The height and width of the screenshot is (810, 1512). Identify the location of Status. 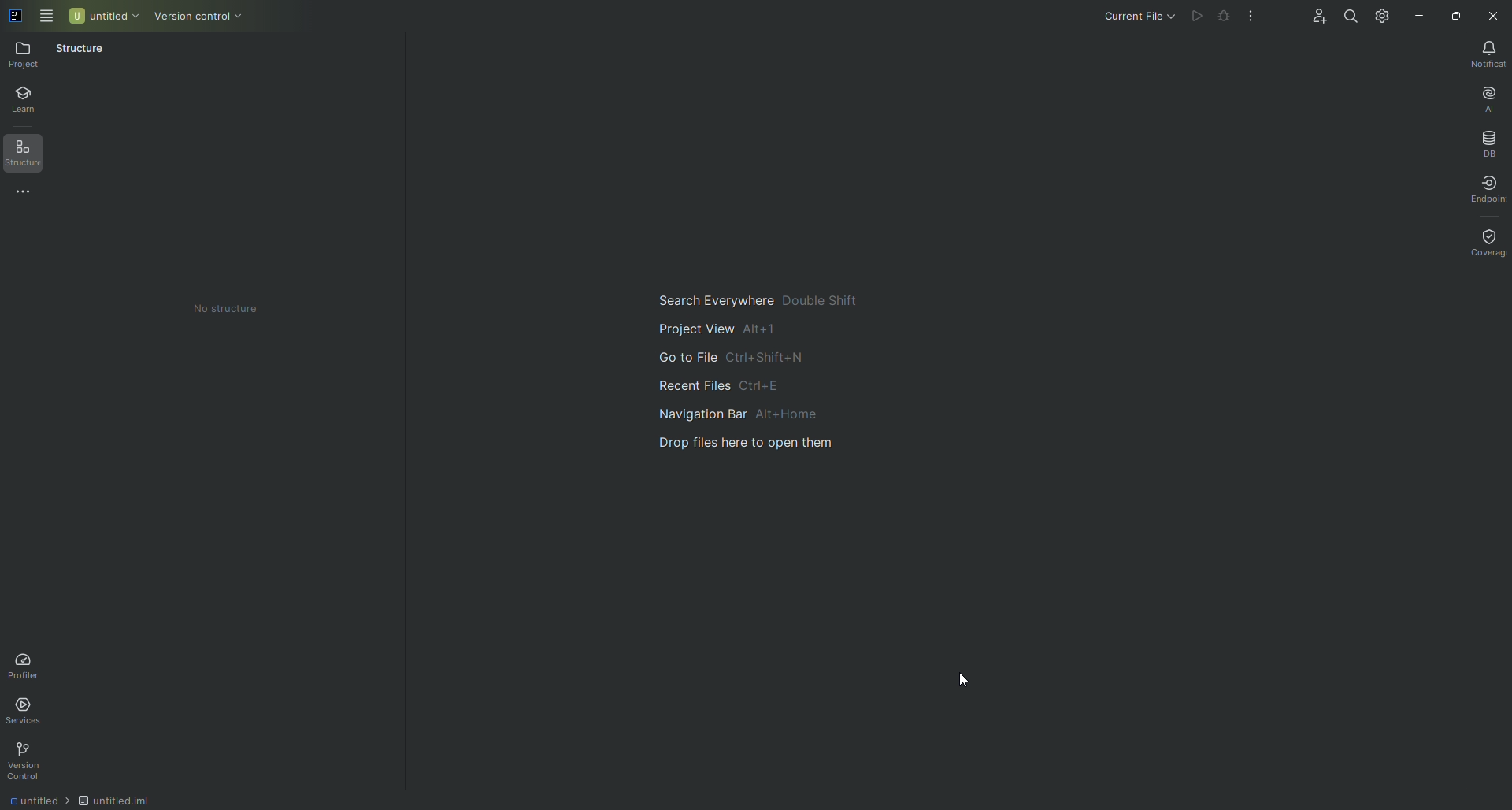
(80, 51).